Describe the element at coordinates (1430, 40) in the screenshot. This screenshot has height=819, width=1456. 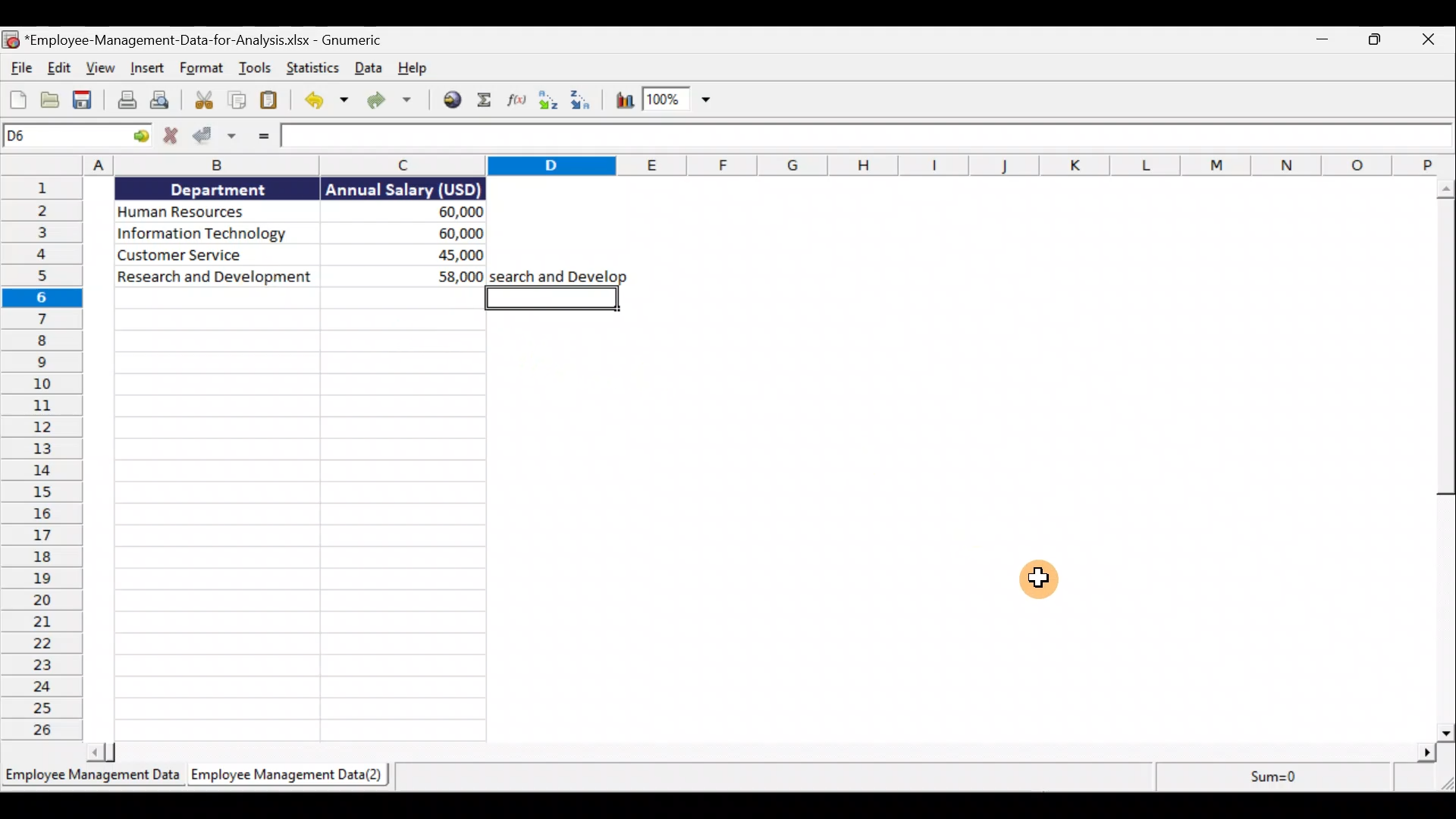
I see `Close` at that location.